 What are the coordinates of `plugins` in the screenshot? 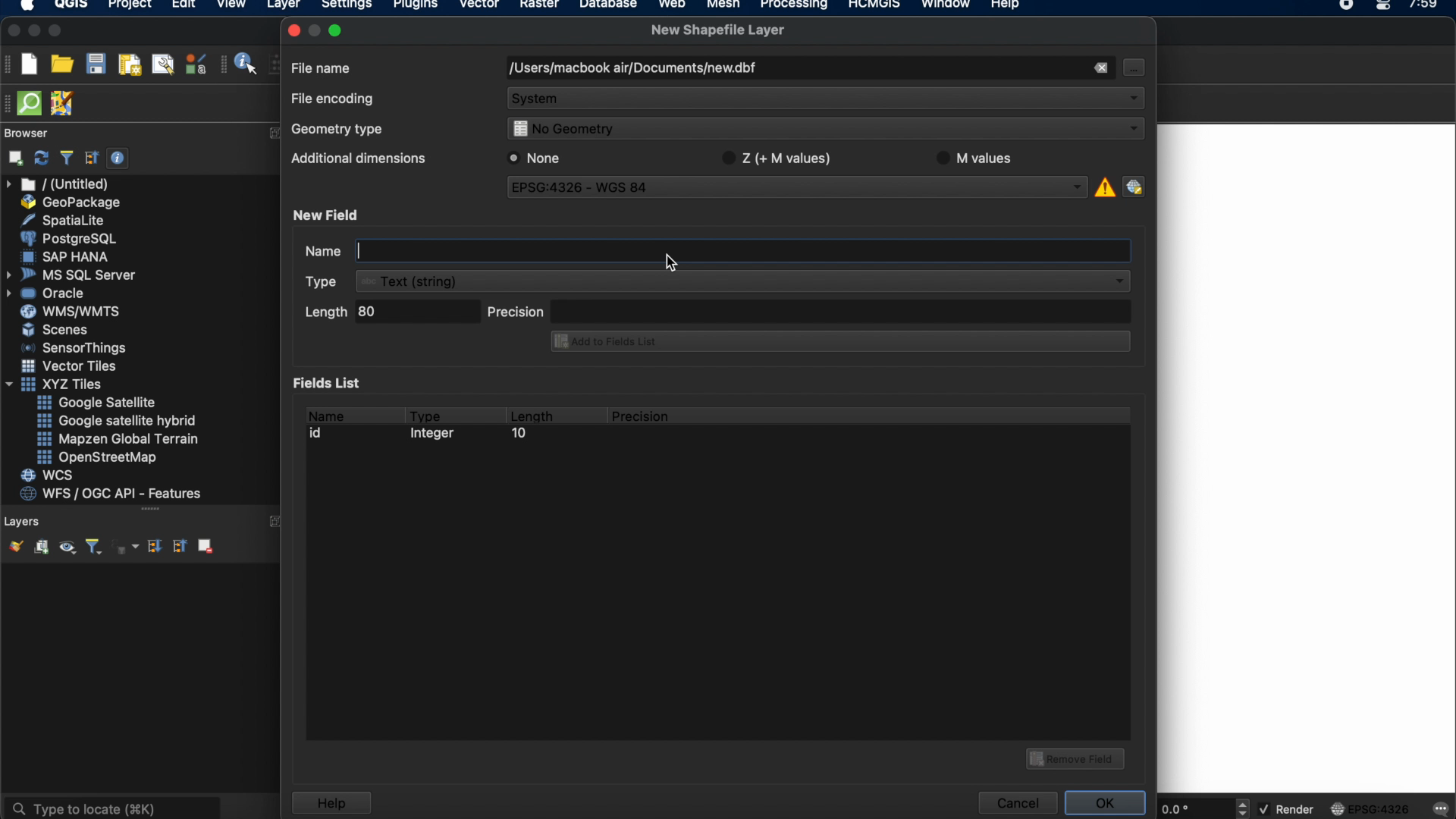 It's located at (416, 7).